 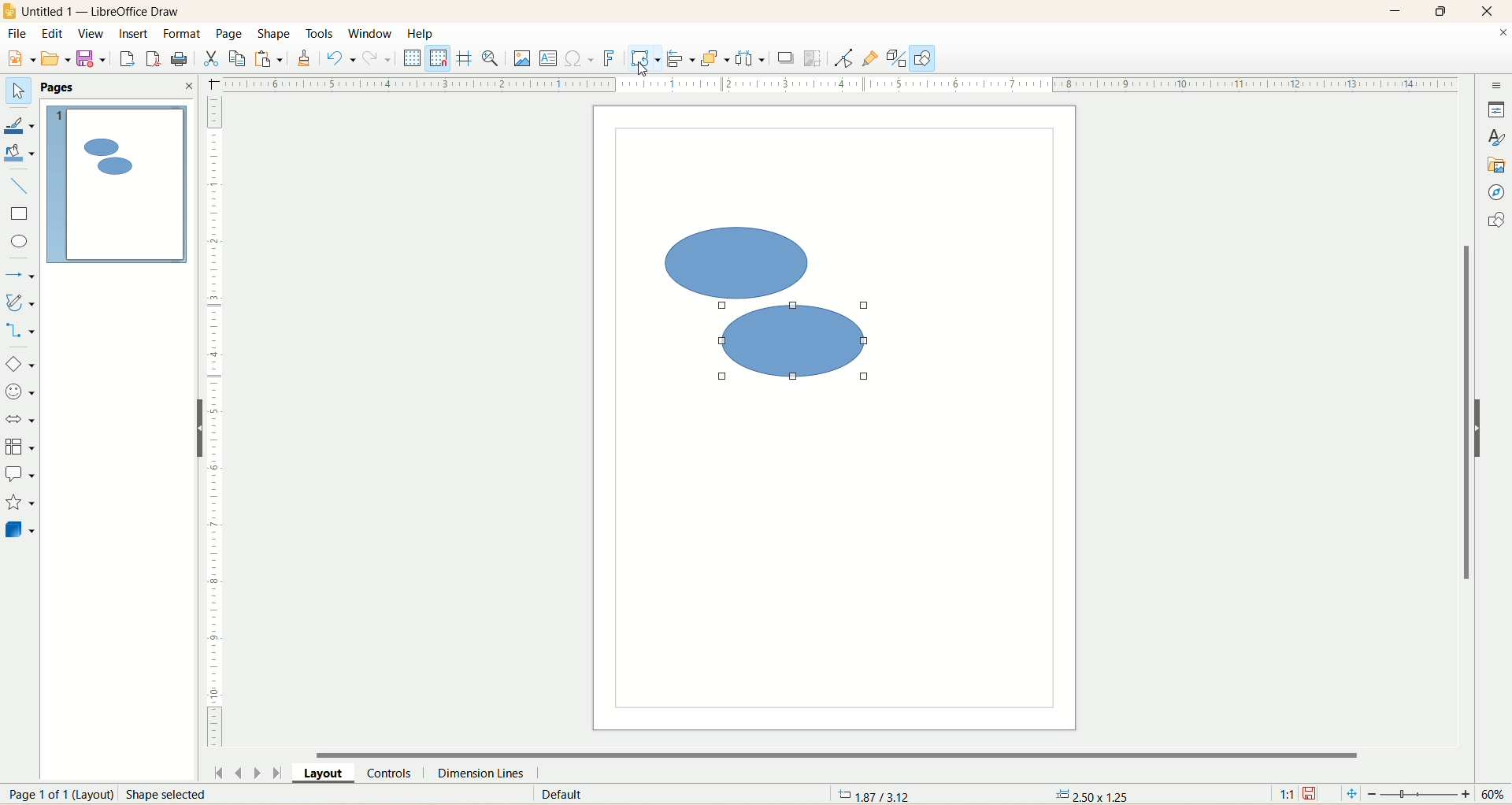 I want to click on cursor, so click(x=644, y=68).